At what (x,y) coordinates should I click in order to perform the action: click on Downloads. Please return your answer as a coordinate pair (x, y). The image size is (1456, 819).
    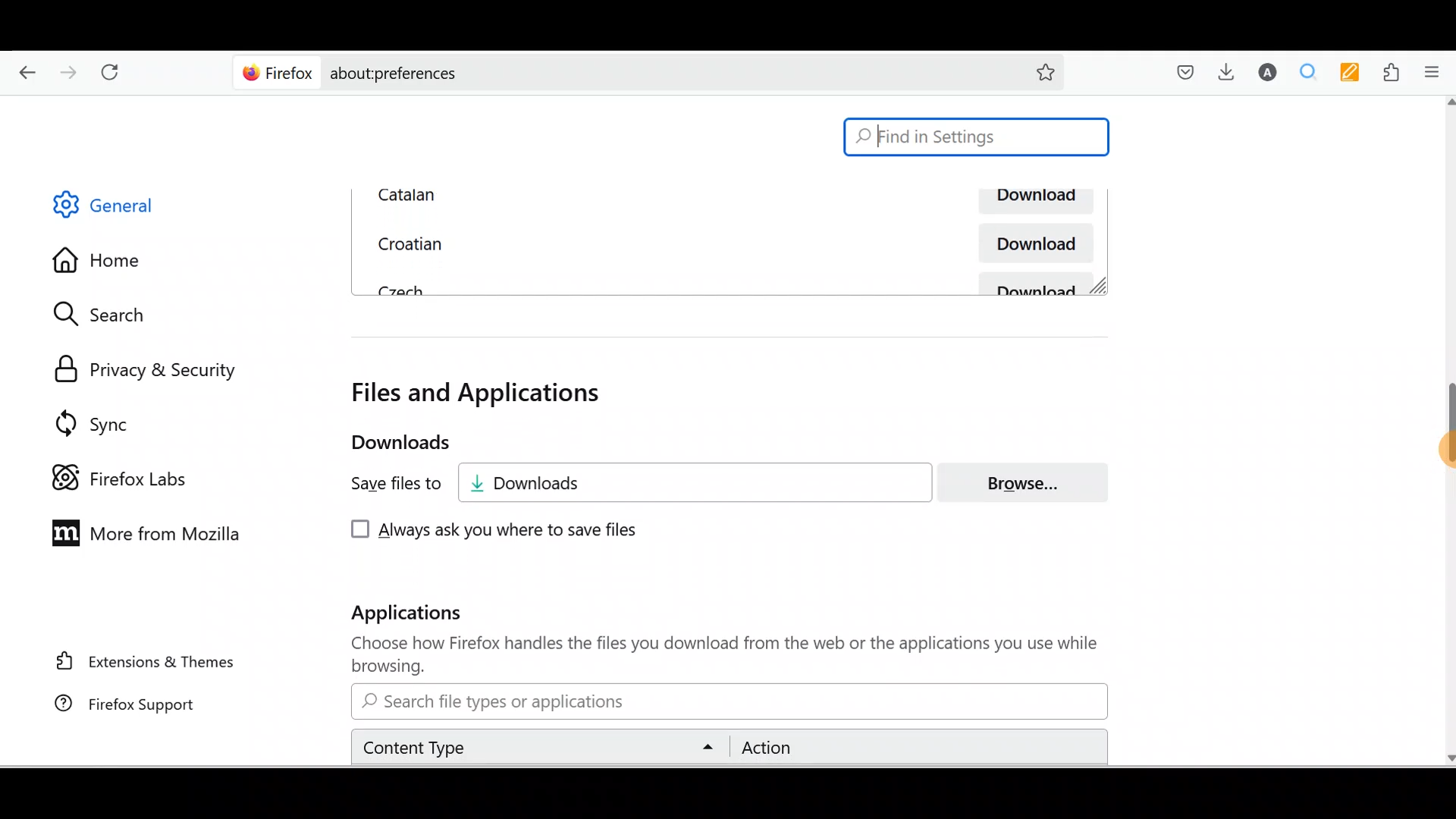
    Looking at the image, I should click on (706, 482).